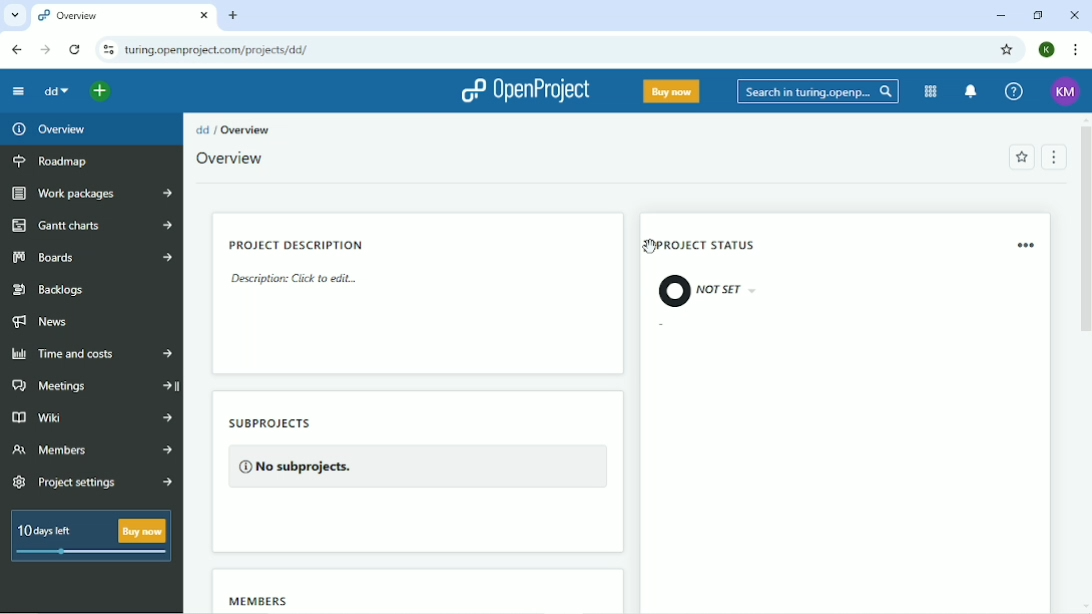 The image size is (1092, 614). Describe the element at coordinates (672, 91) in the screenshot. I see `Buy now` at that location.